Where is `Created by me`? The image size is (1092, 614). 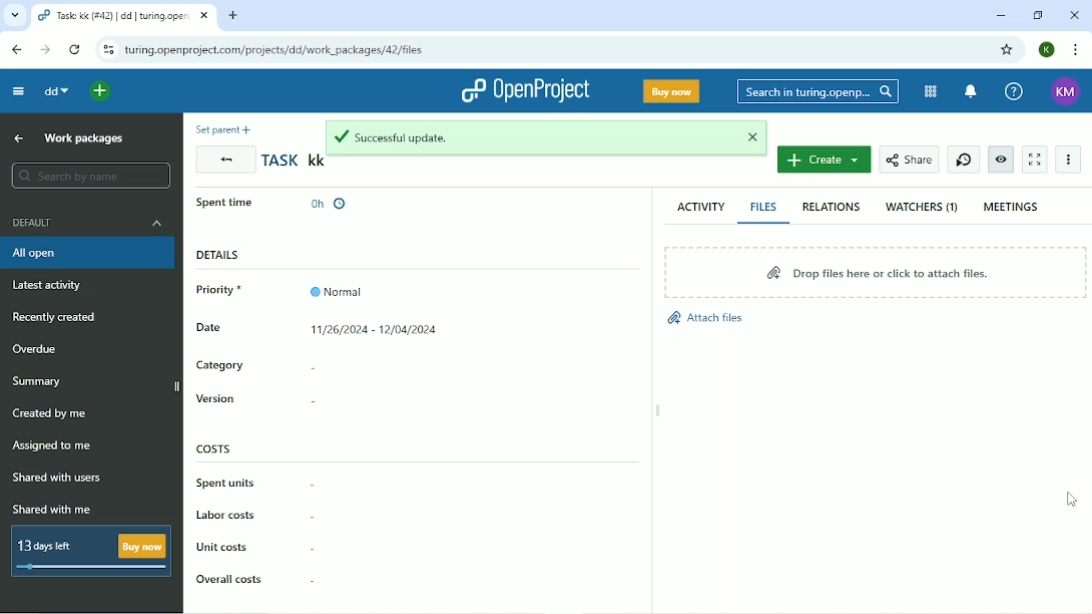
Created by me is located at coordinates (49, 413).